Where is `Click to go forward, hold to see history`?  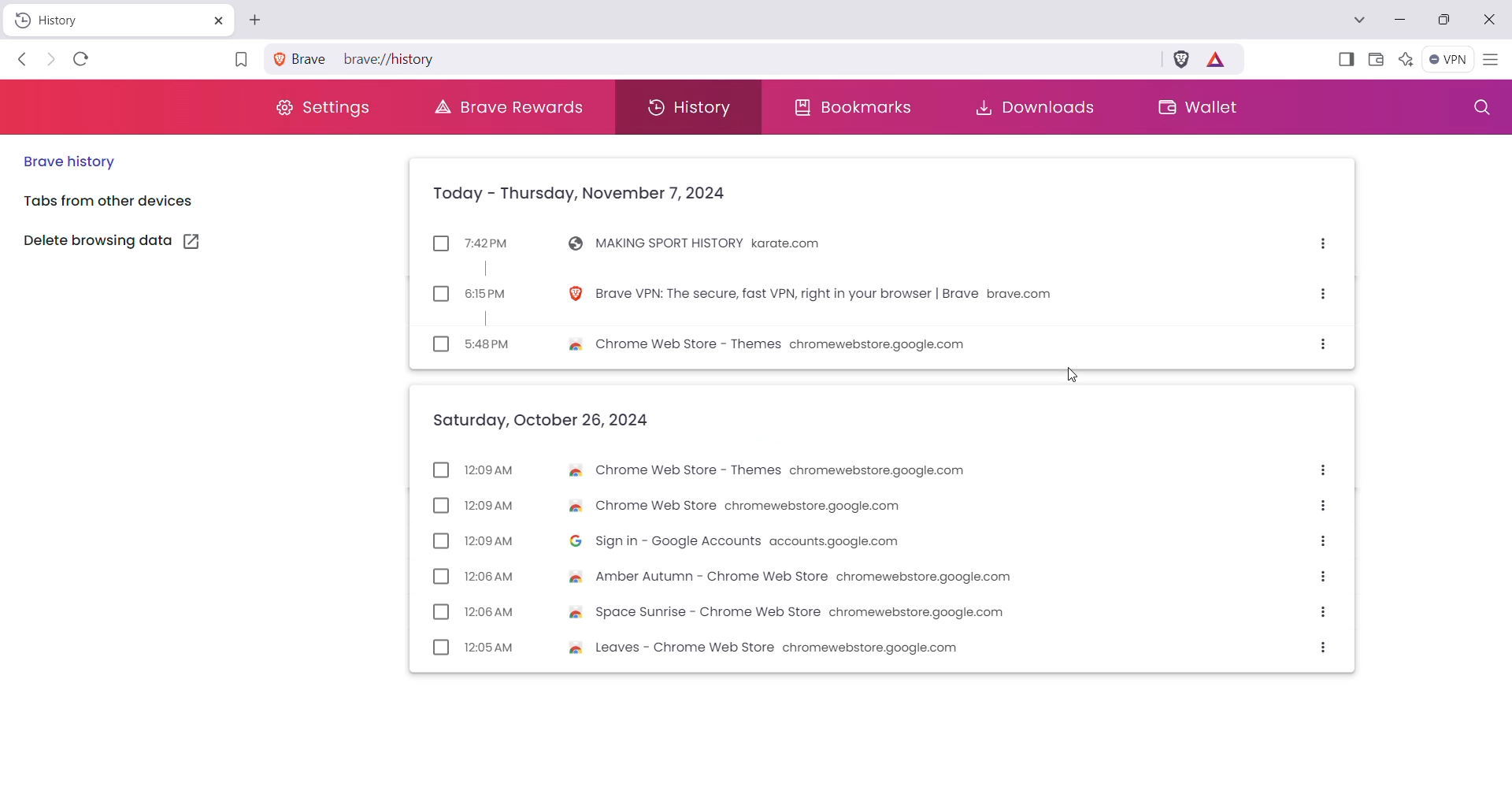
Click to go forward, hold to see history is located at coordinates (52, 60).